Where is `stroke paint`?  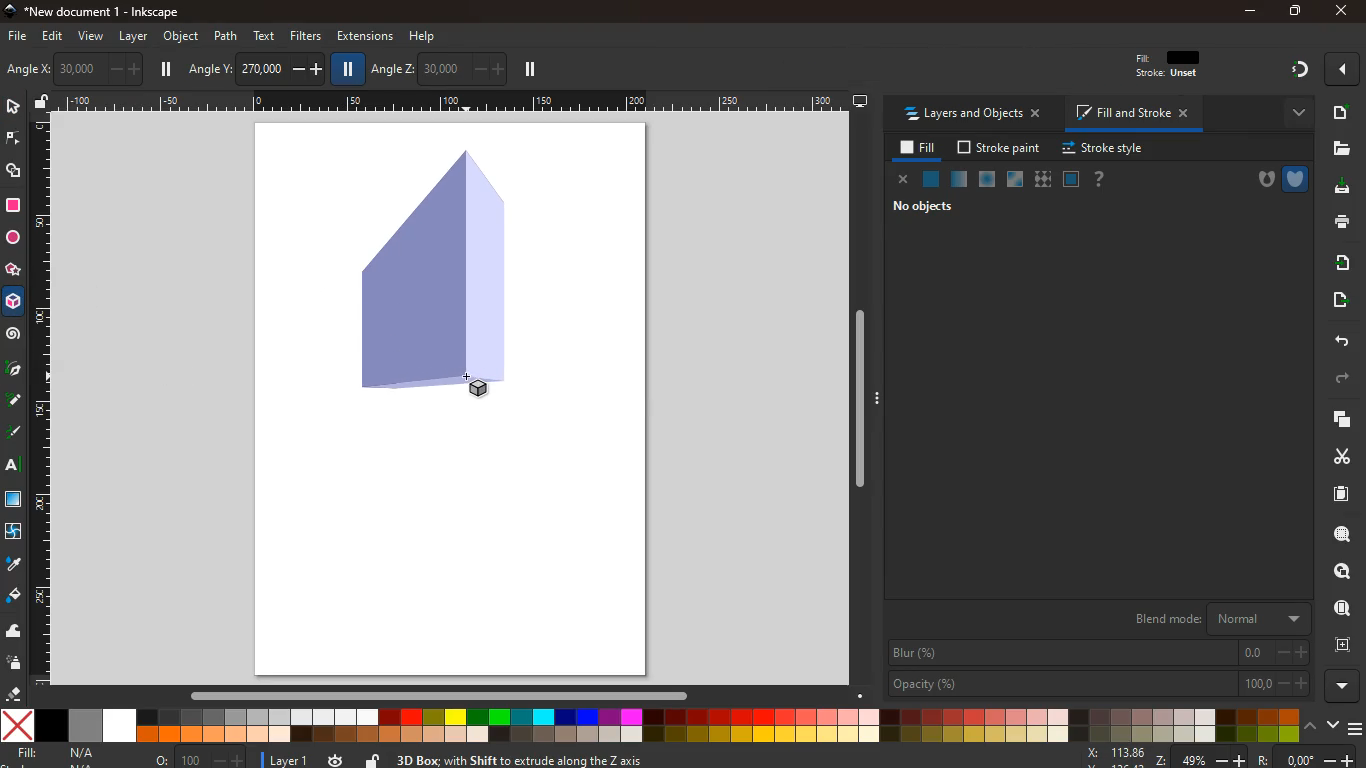
stroke paint is located at coordinates (995, 148).